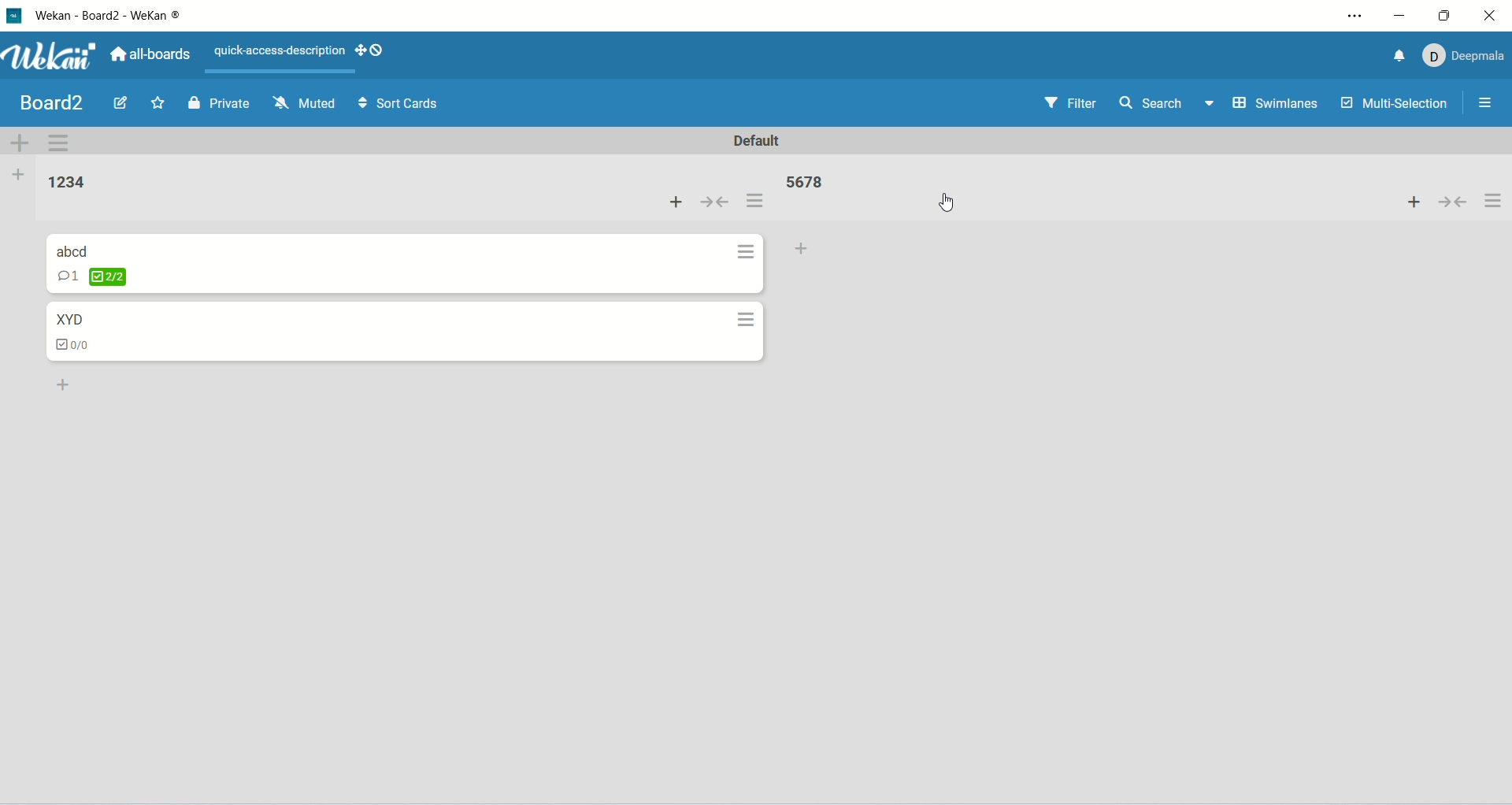 The height and width of the screenshot is (805, 1512). I want to click on list title, so click(806, 184).